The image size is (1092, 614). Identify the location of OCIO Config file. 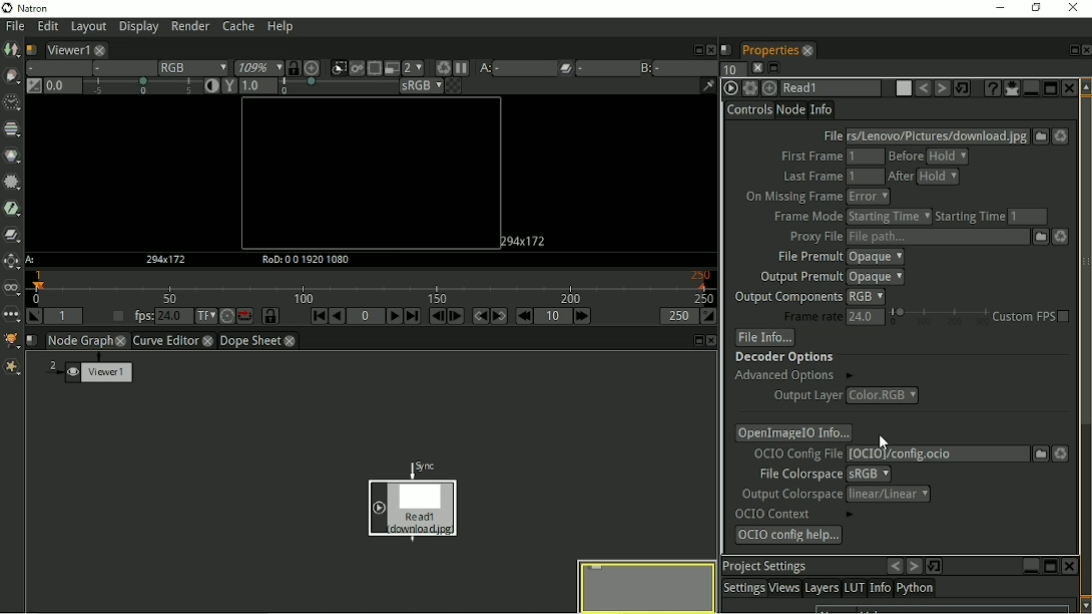
(907, 453).